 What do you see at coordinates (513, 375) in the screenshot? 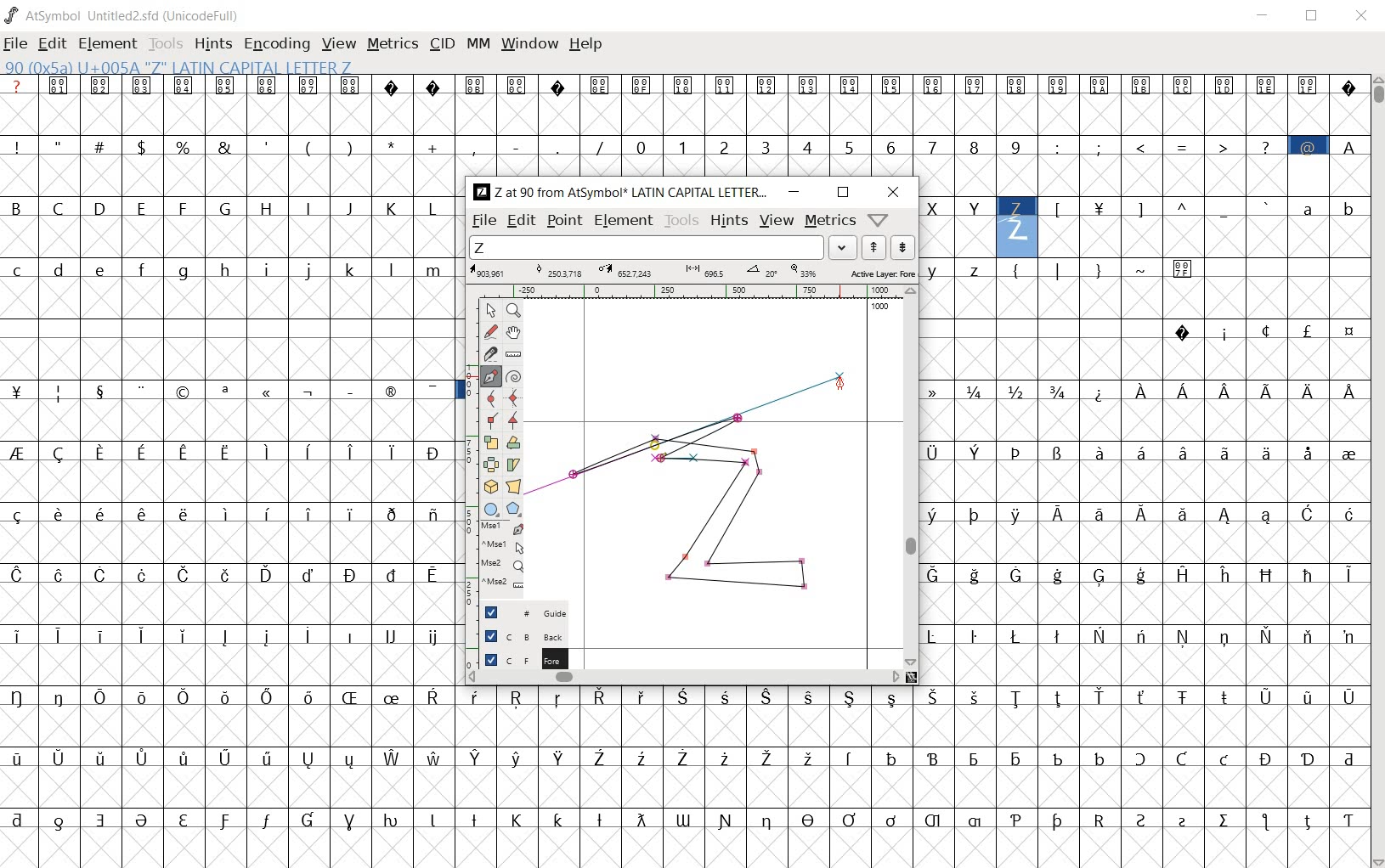
I see `change whether spiro is active or not` at bounding box center [513, 375].